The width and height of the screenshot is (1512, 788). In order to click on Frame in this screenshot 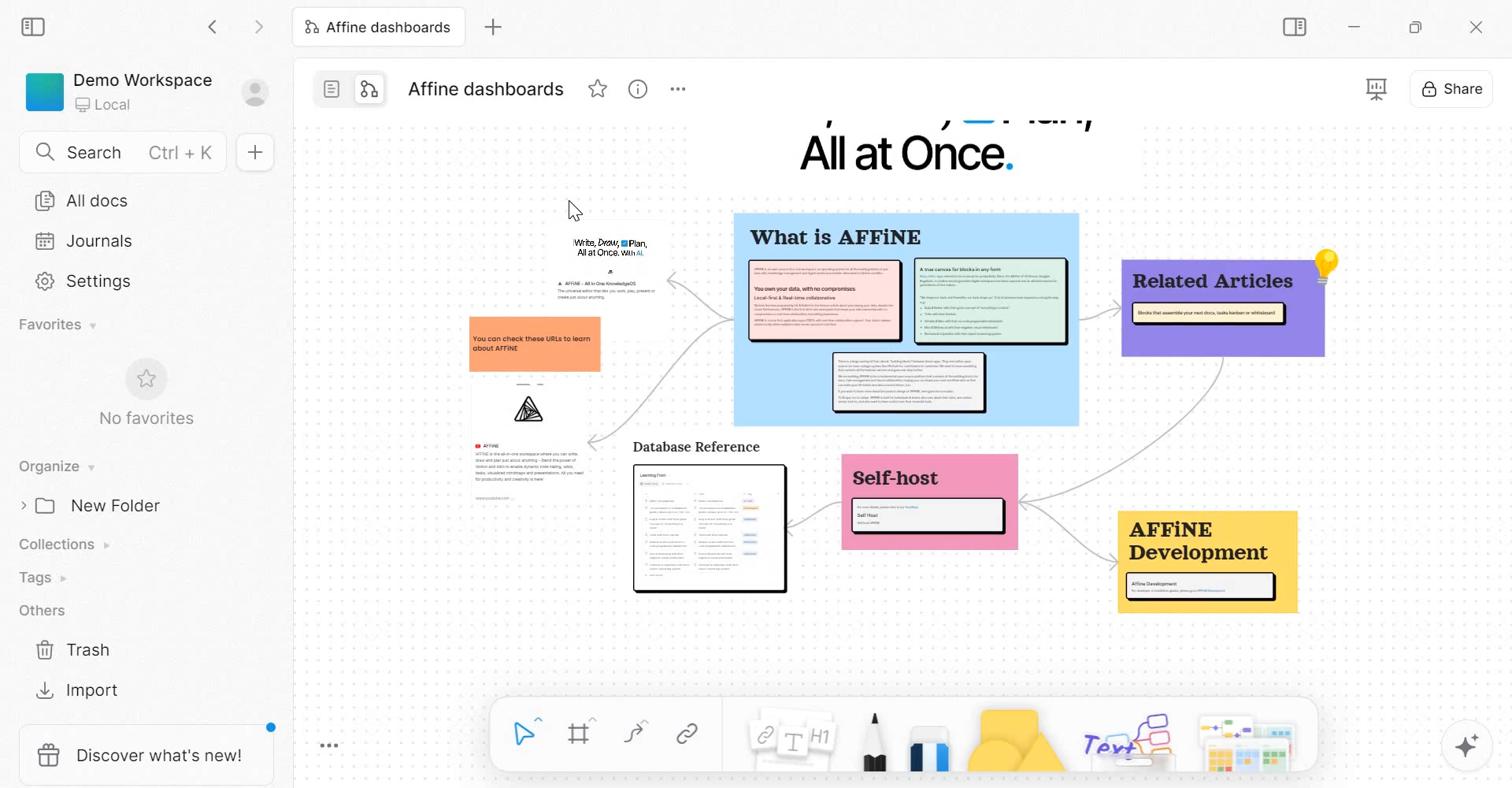, I will do `click(579, 734)`.